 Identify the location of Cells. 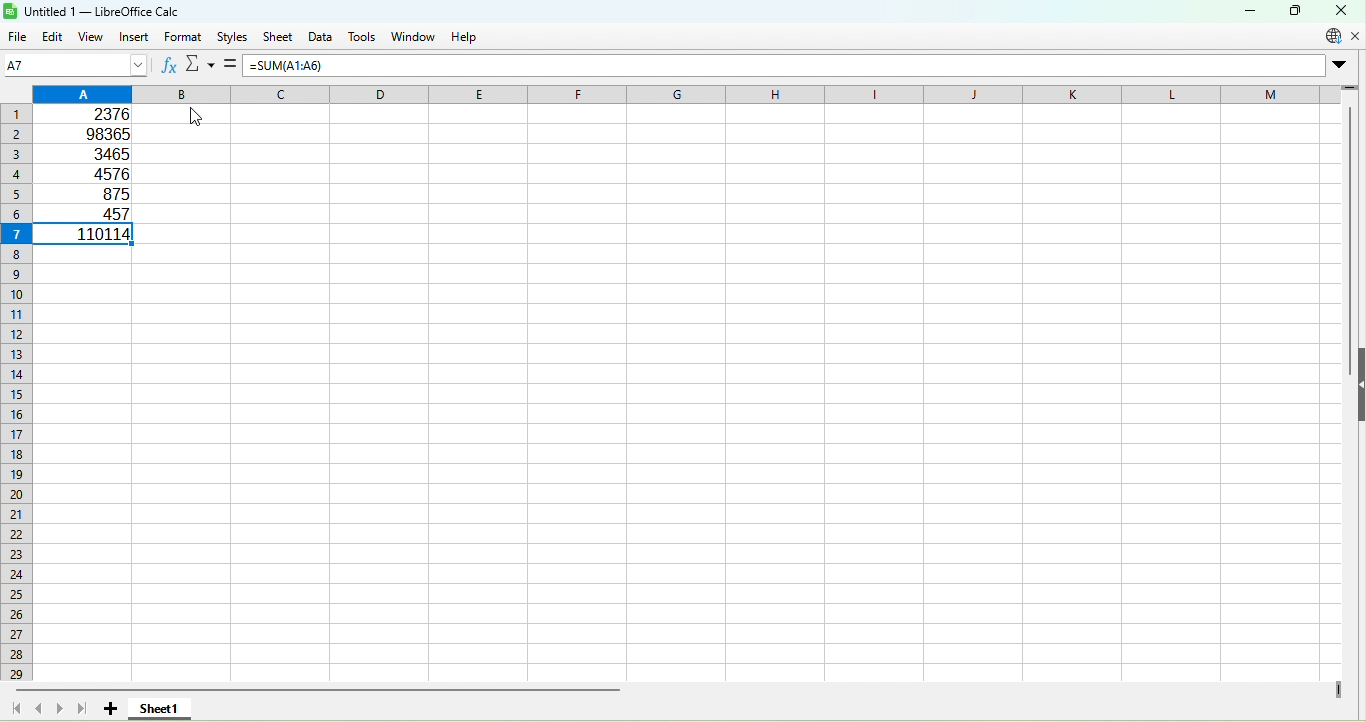
(690, 465).